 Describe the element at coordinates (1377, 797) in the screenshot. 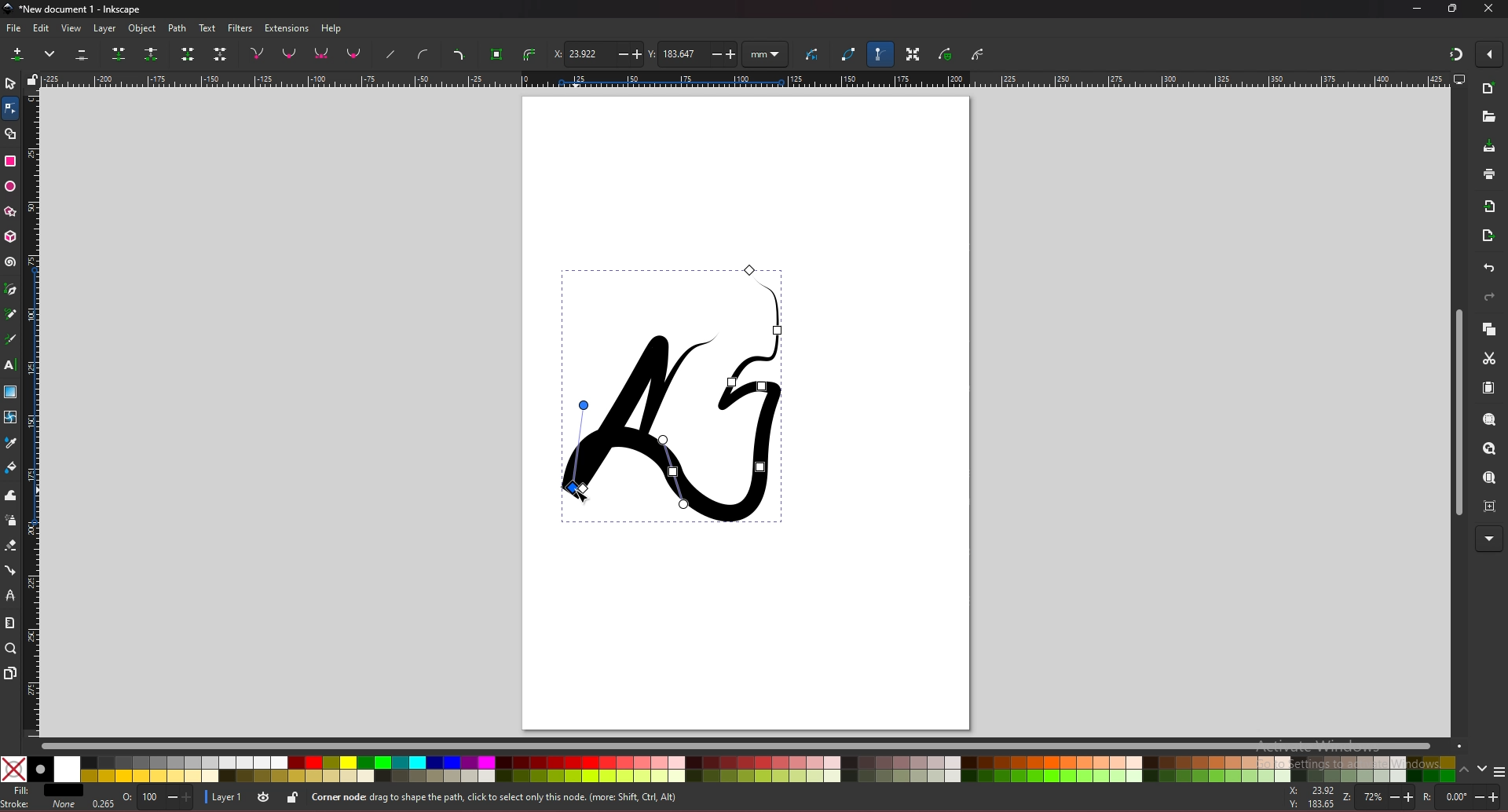

I see `zoom` at that location.